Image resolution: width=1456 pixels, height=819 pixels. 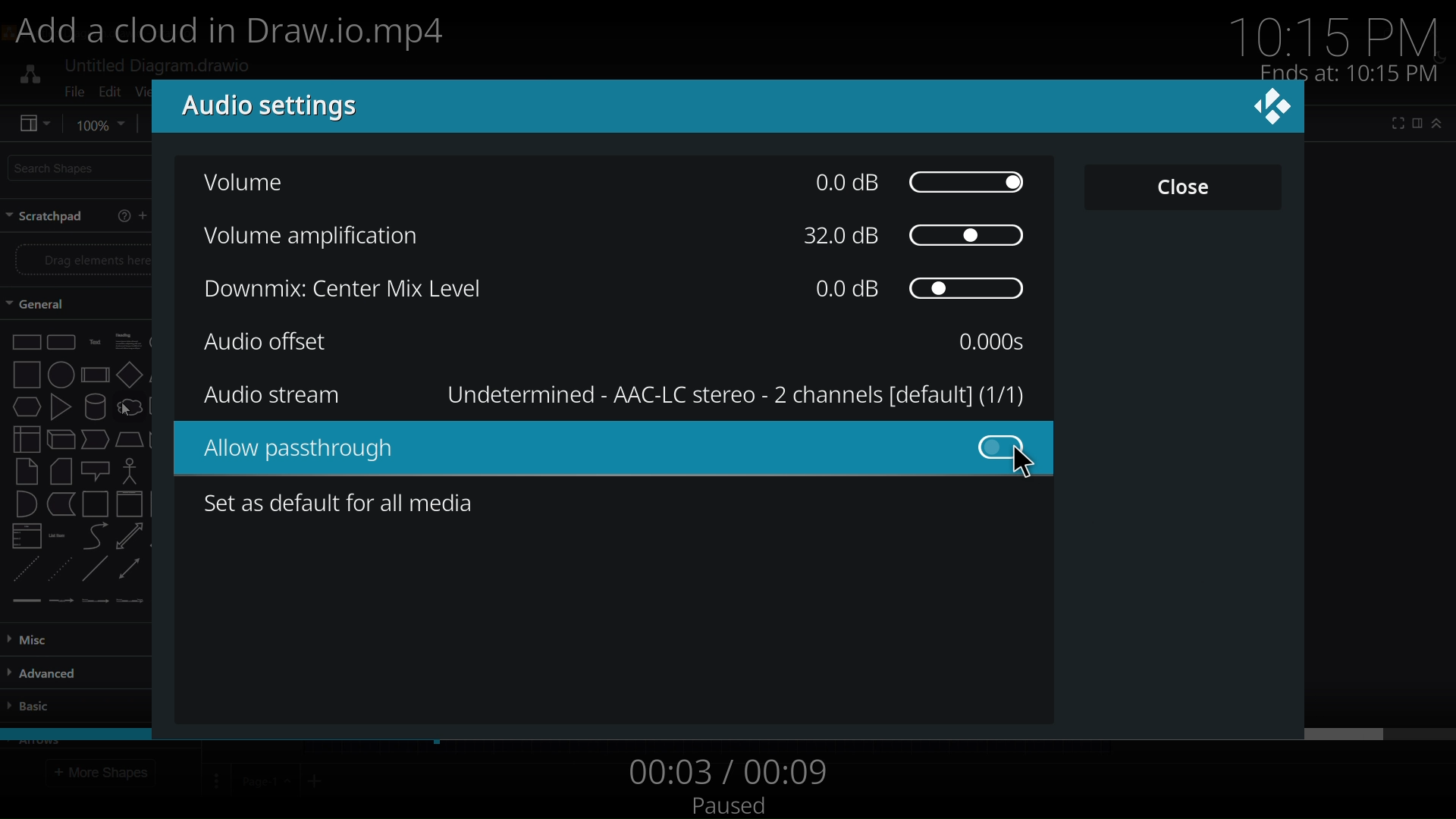 What do you see at coordinates (1273, 117) in the screenshot?
I see `close dialog` at bounding box center [1273, 117].